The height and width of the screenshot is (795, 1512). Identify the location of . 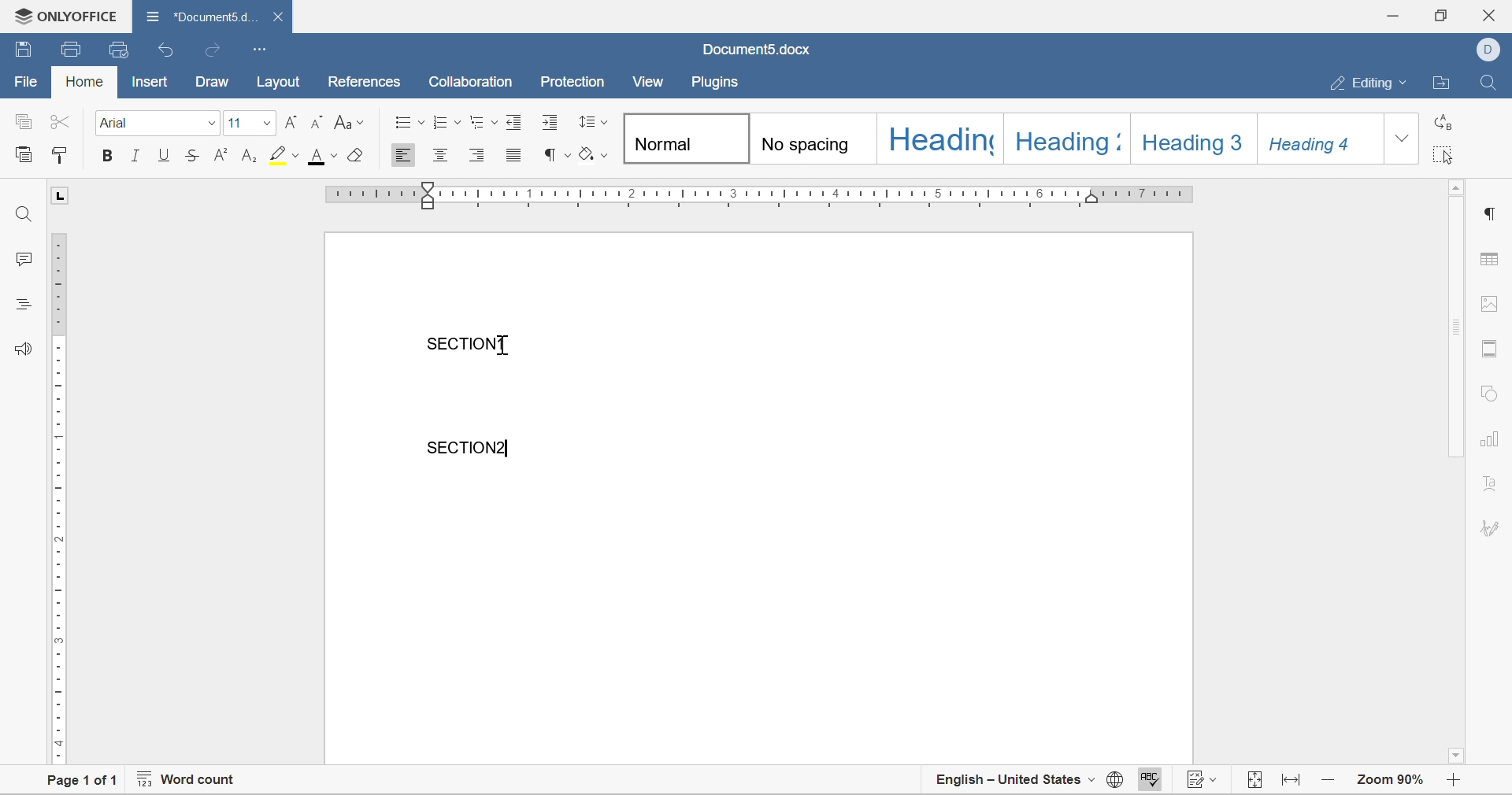
(511, 348).